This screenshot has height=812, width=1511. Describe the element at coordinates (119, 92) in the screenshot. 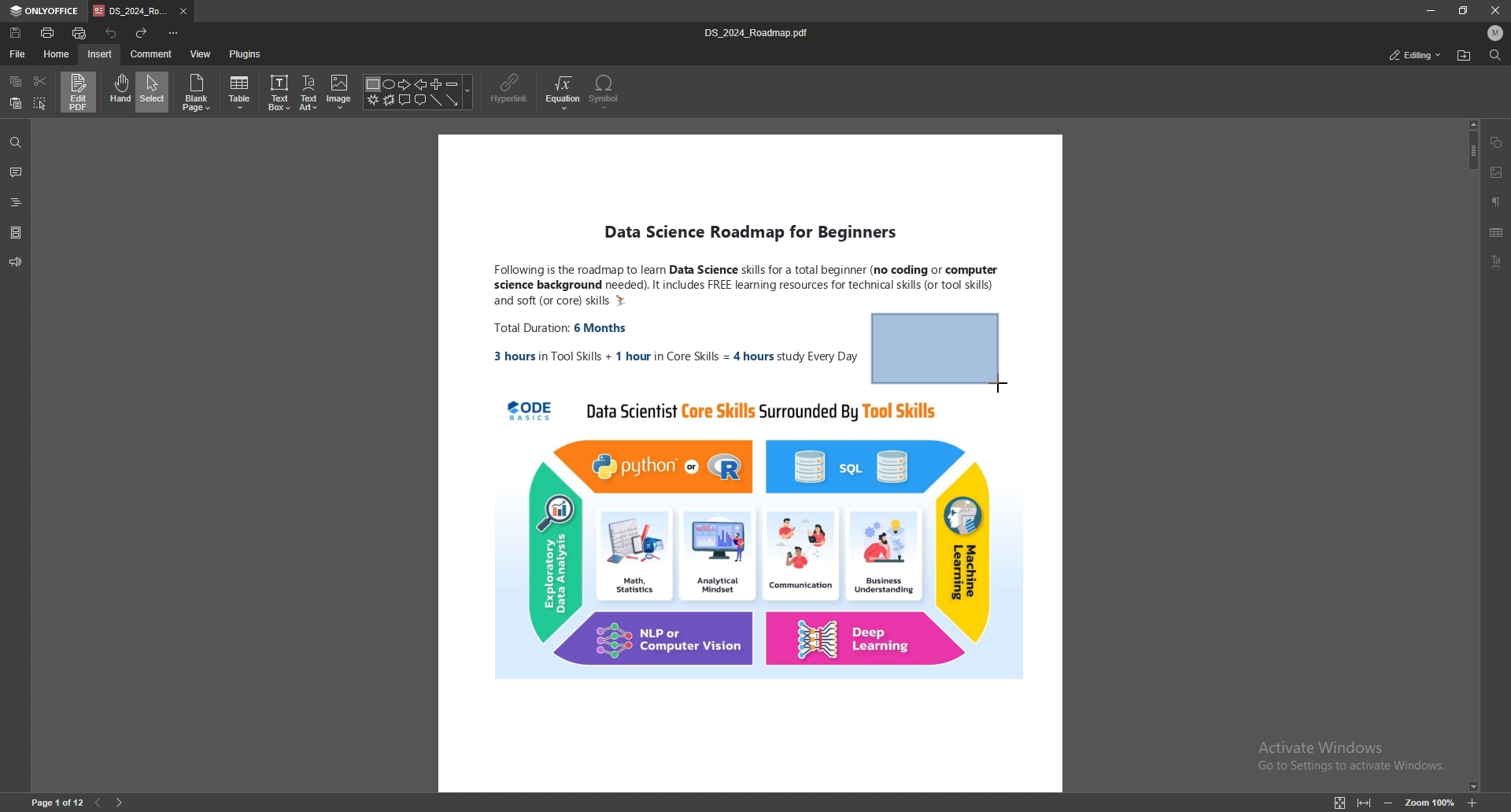

I see `hand` at that location.